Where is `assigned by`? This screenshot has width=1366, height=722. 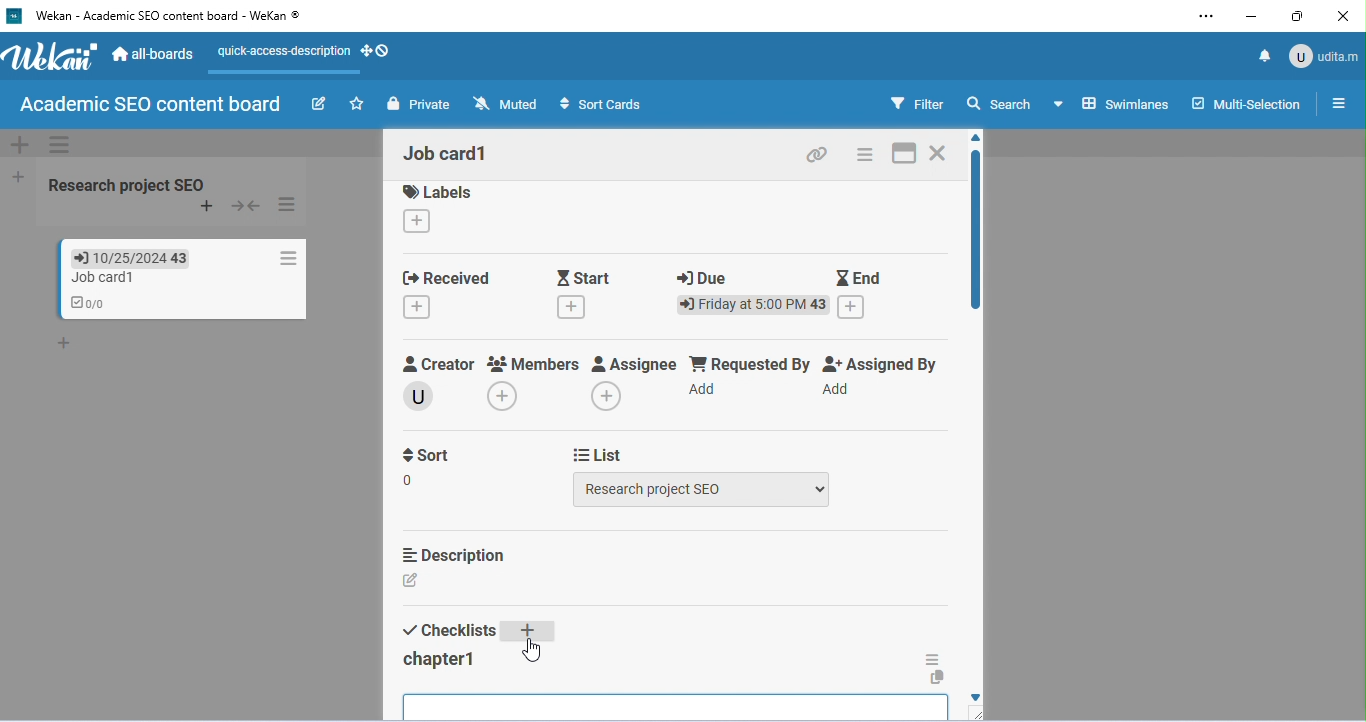
assigned by is located at coordinates (885, 367).